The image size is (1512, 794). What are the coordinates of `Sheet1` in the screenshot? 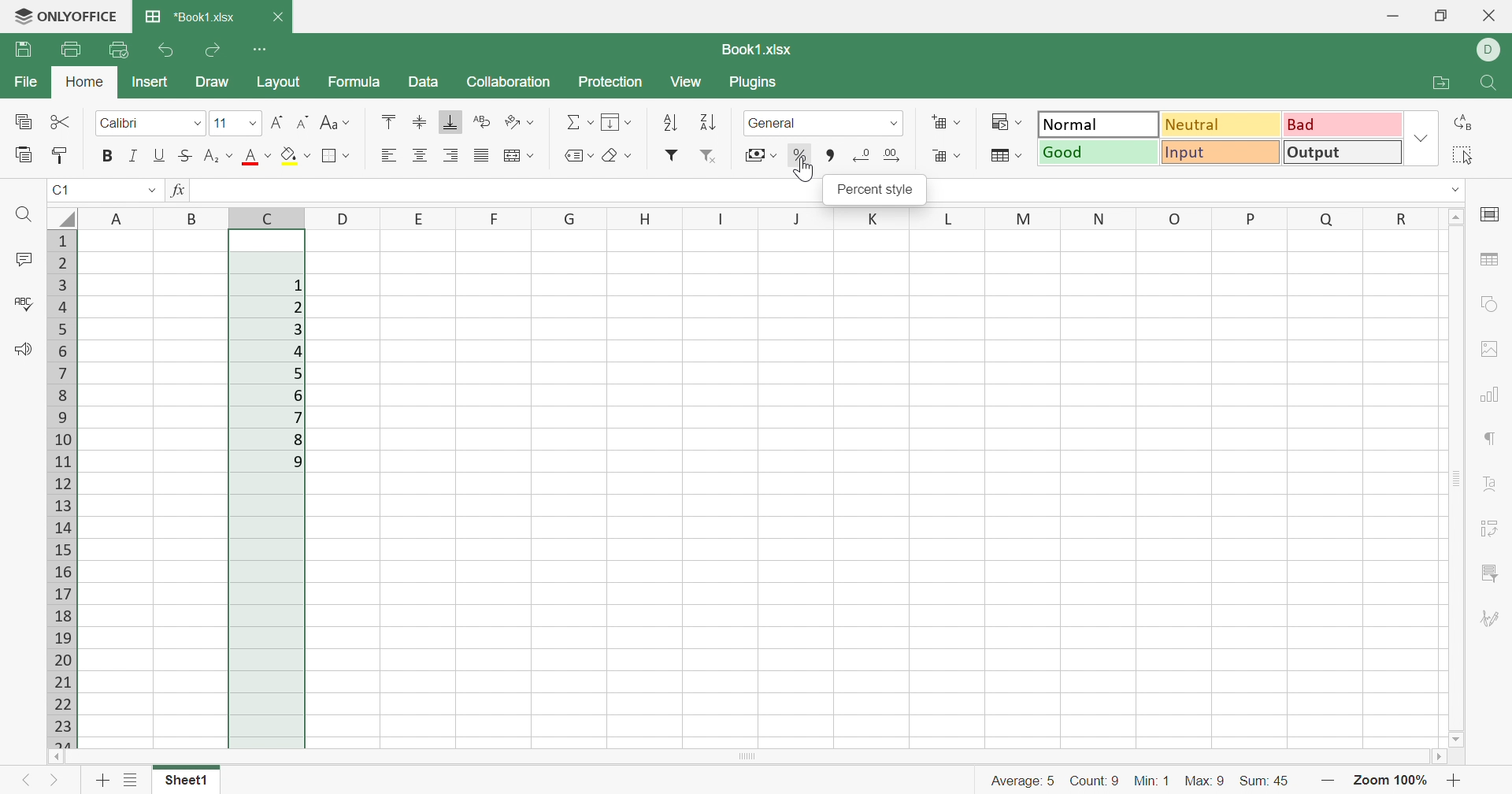 It's located at (183, 780).